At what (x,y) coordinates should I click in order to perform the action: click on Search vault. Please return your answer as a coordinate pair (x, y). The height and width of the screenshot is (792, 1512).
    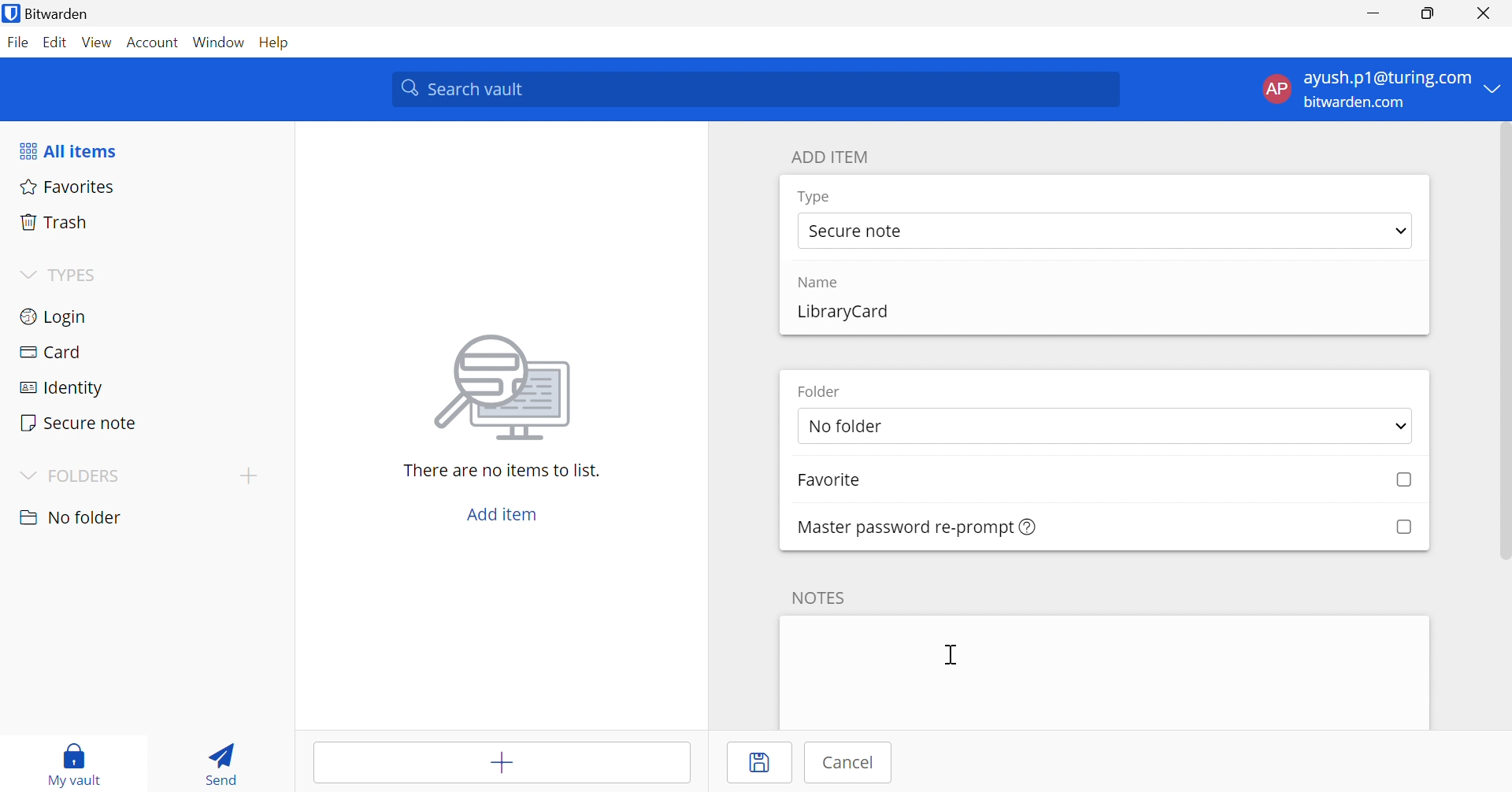
    Looking at the image, I should click on (754, 89).